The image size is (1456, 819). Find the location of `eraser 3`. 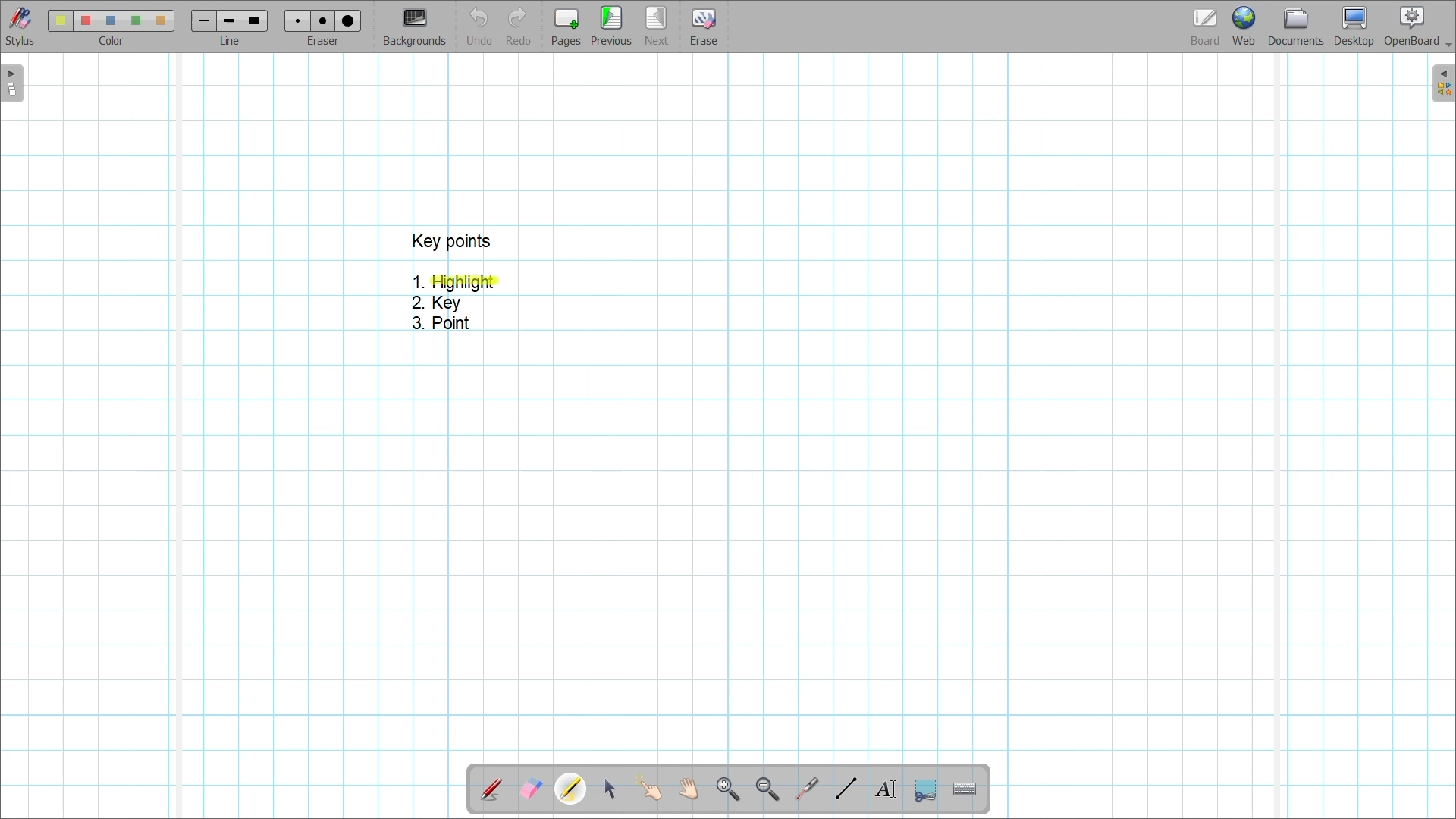

eraser 3 is located at coordinates (349, 20).